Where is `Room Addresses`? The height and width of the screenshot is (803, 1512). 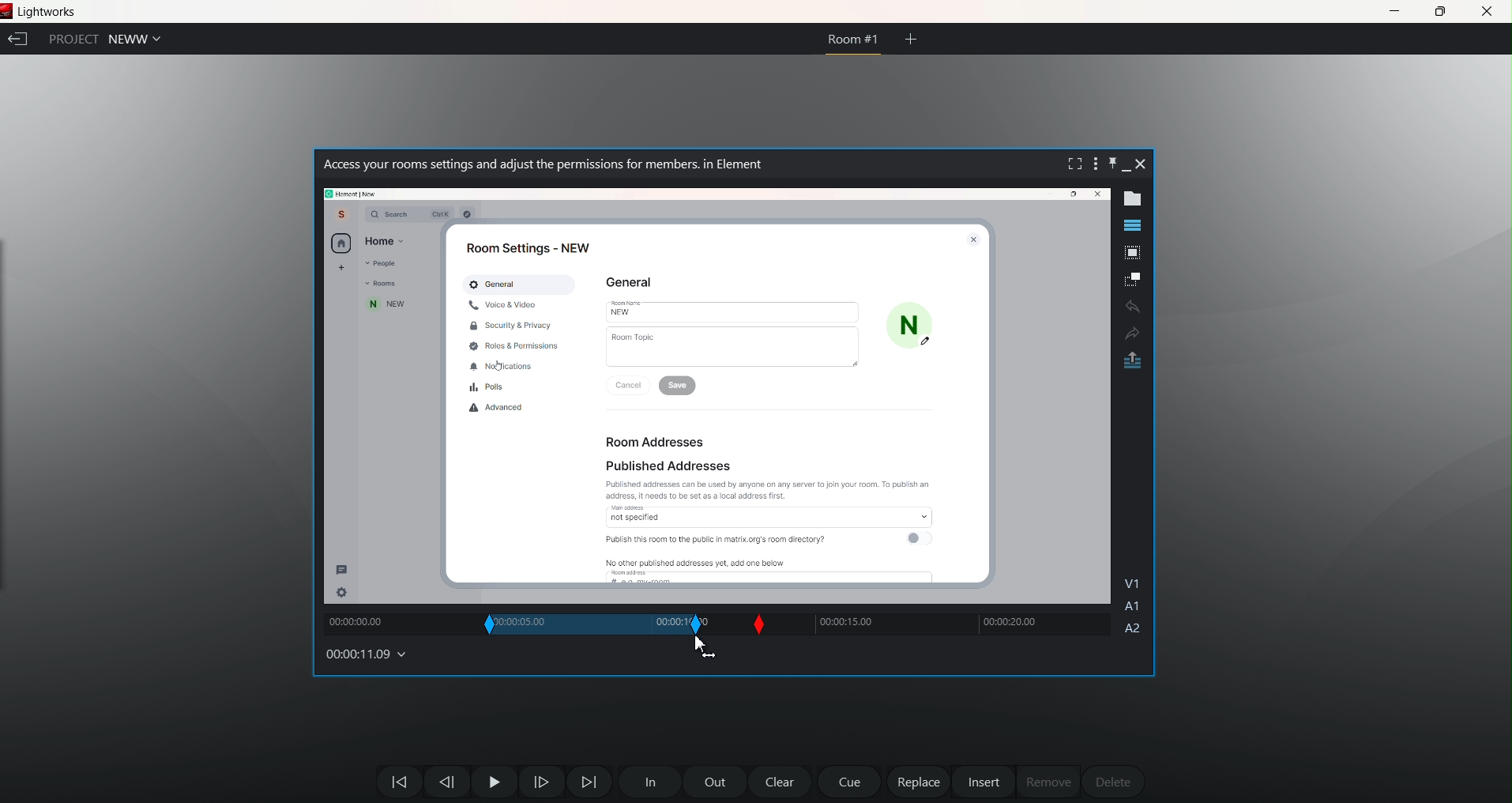
Room Addresses is located at coordinates (664, 443).